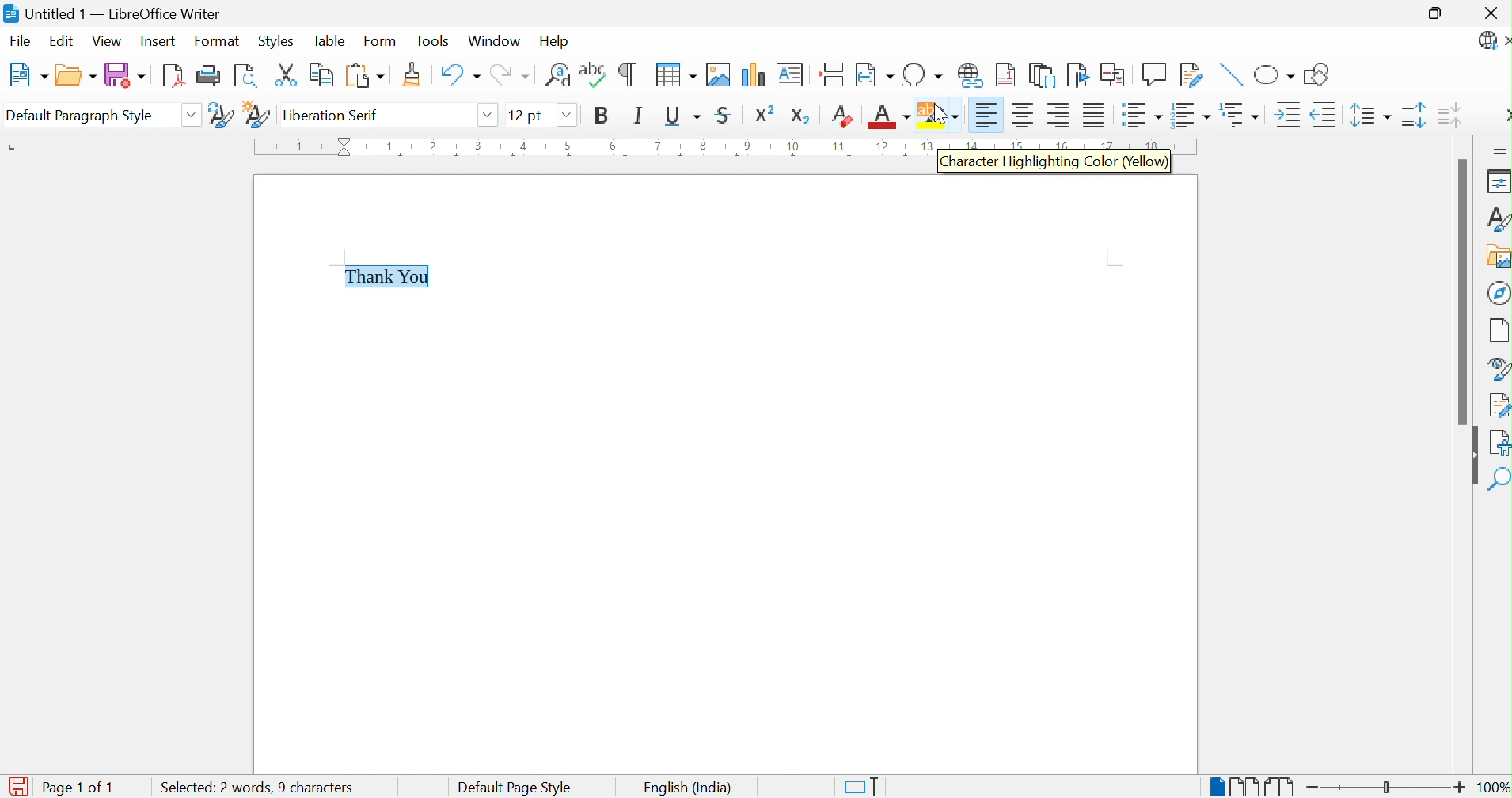 The width and height of the screenshot is (1512, 798). What do you see at coordinates (1413, 118) in the screenshot?
I see `Increase Paragraph Spacing` at bounding box center [1413, 118].